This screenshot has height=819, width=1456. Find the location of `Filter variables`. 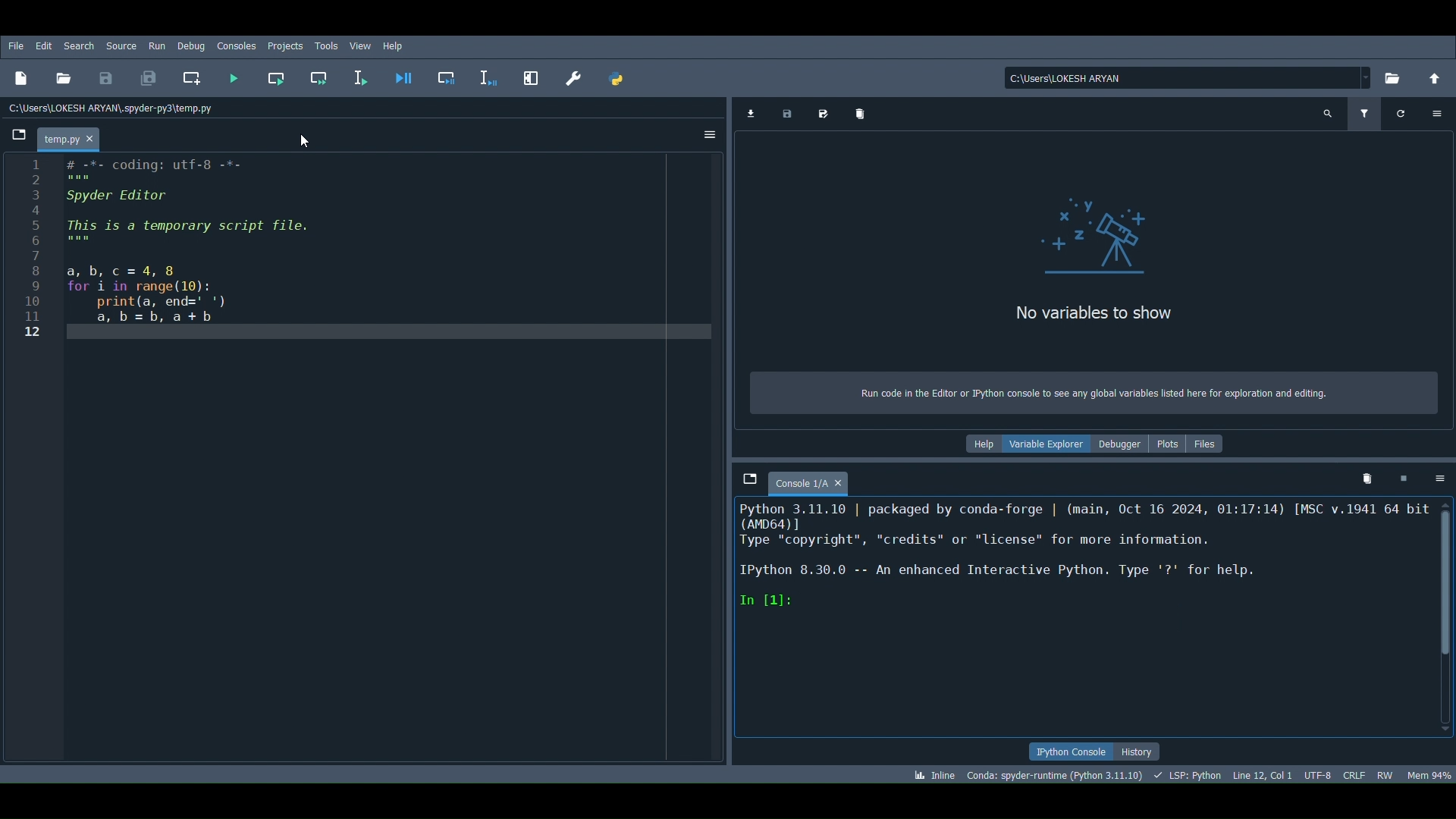

Filter variables is located at coordinates (1366, 114).